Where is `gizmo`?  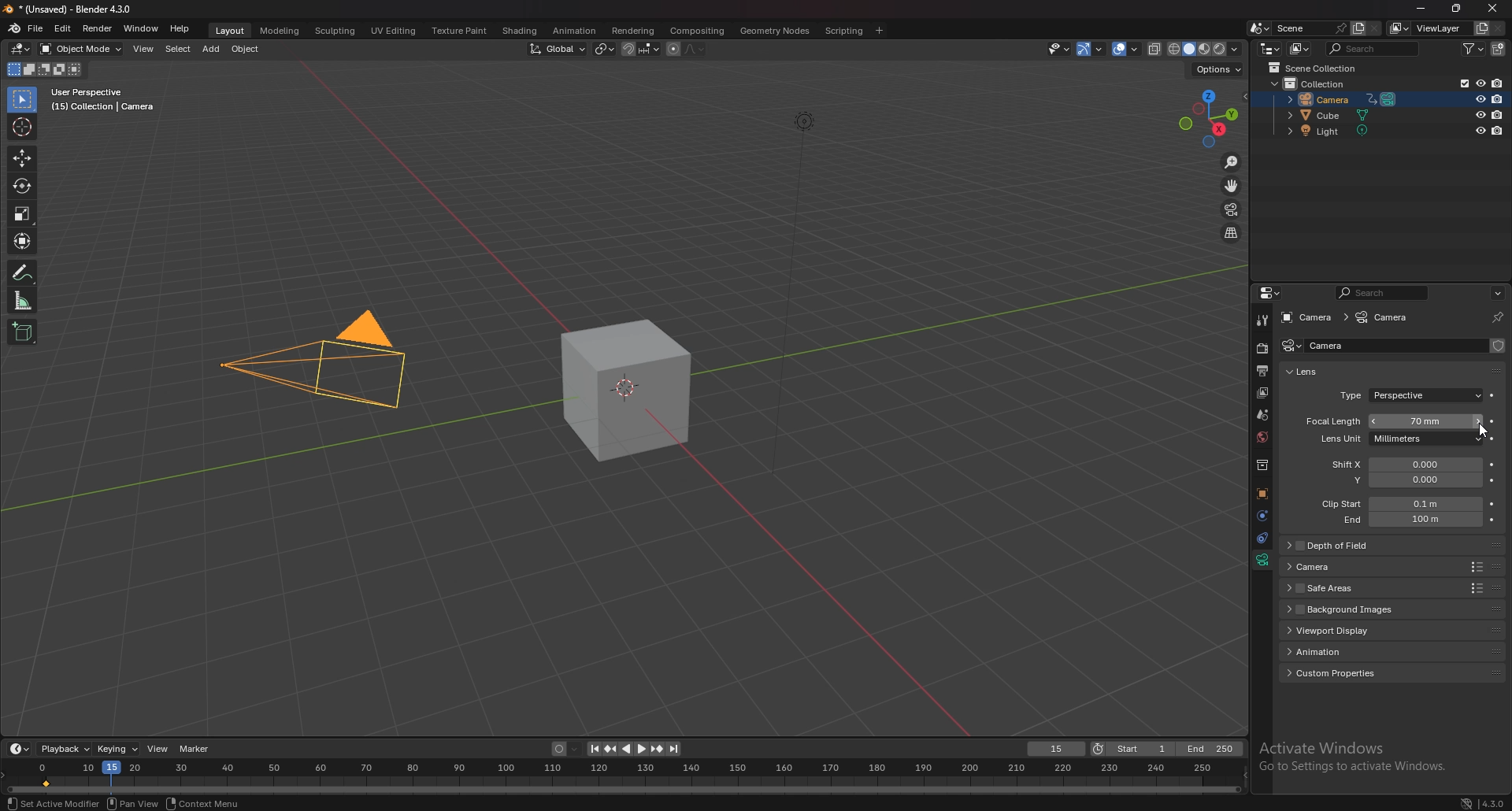 gizmo is located at coordinates (1091, 49).